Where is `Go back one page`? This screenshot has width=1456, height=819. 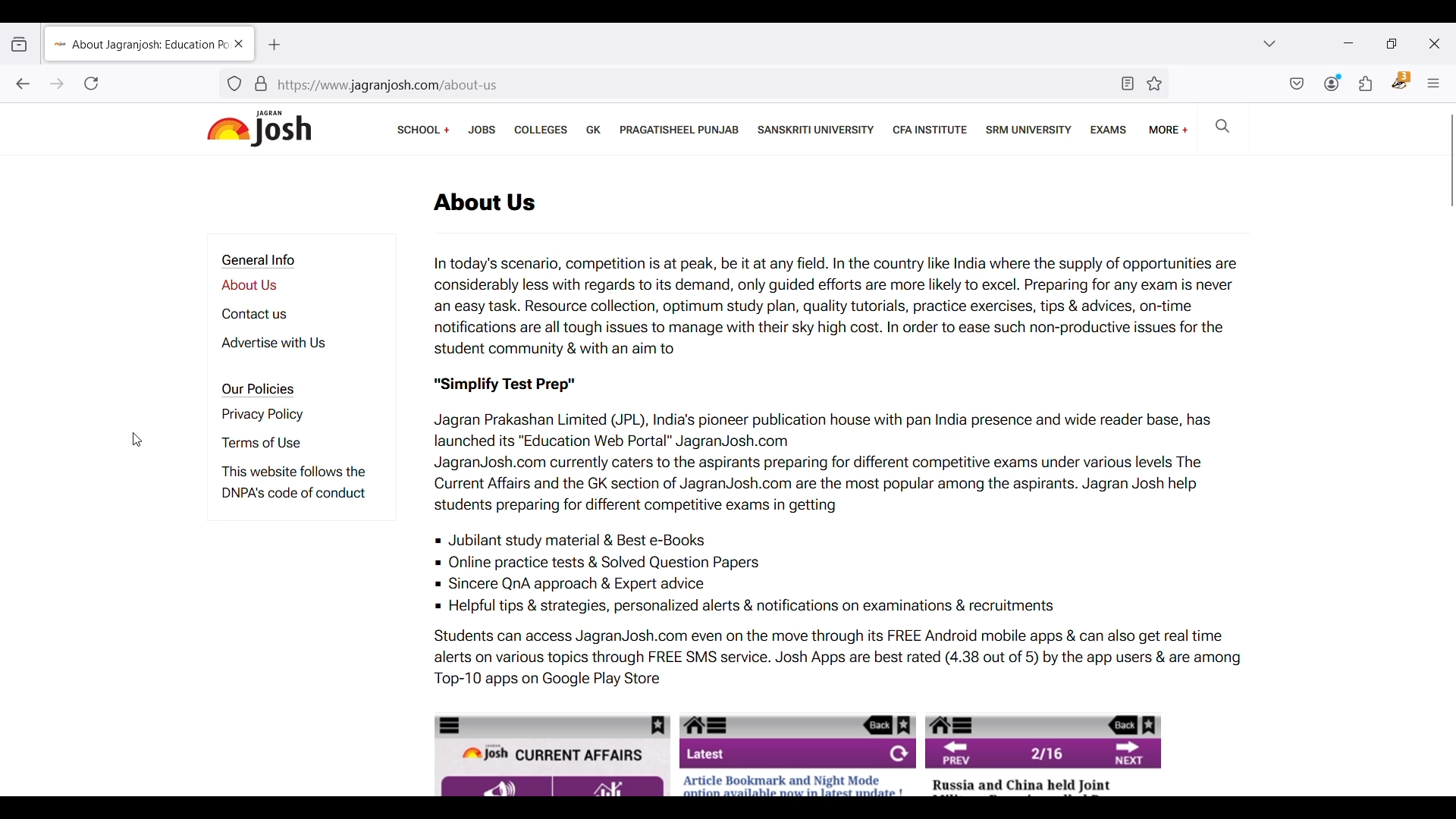
Go back one page is located at coordinates (22, 83).